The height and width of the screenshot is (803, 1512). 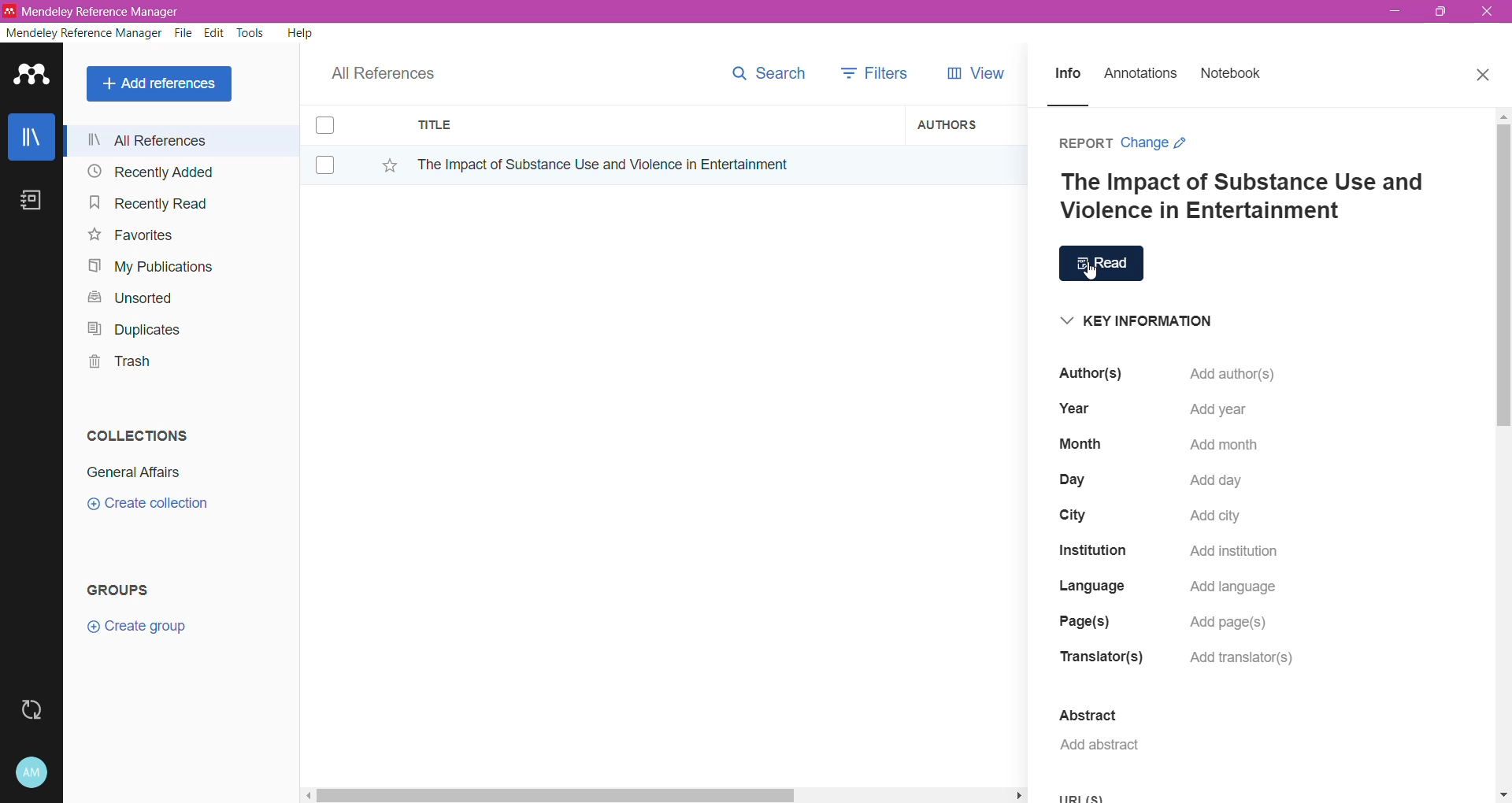 What do you see at coordinates (388, 166) in the screenshot?
I see `Click to Add Item to Favorites` at bounding box center [388, 166].